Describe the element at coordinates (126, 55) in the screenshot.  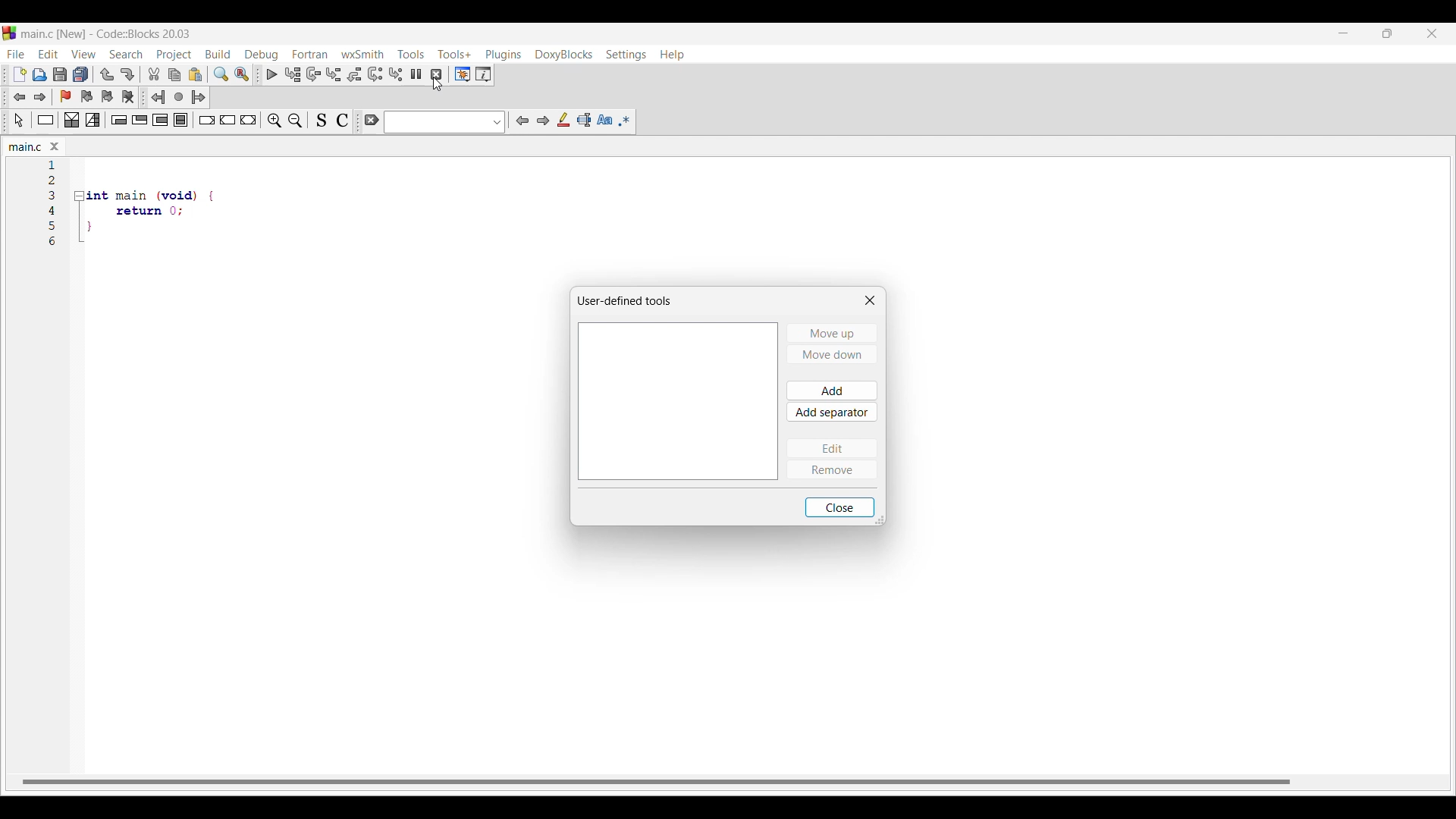
I see `Search menu` at that location.